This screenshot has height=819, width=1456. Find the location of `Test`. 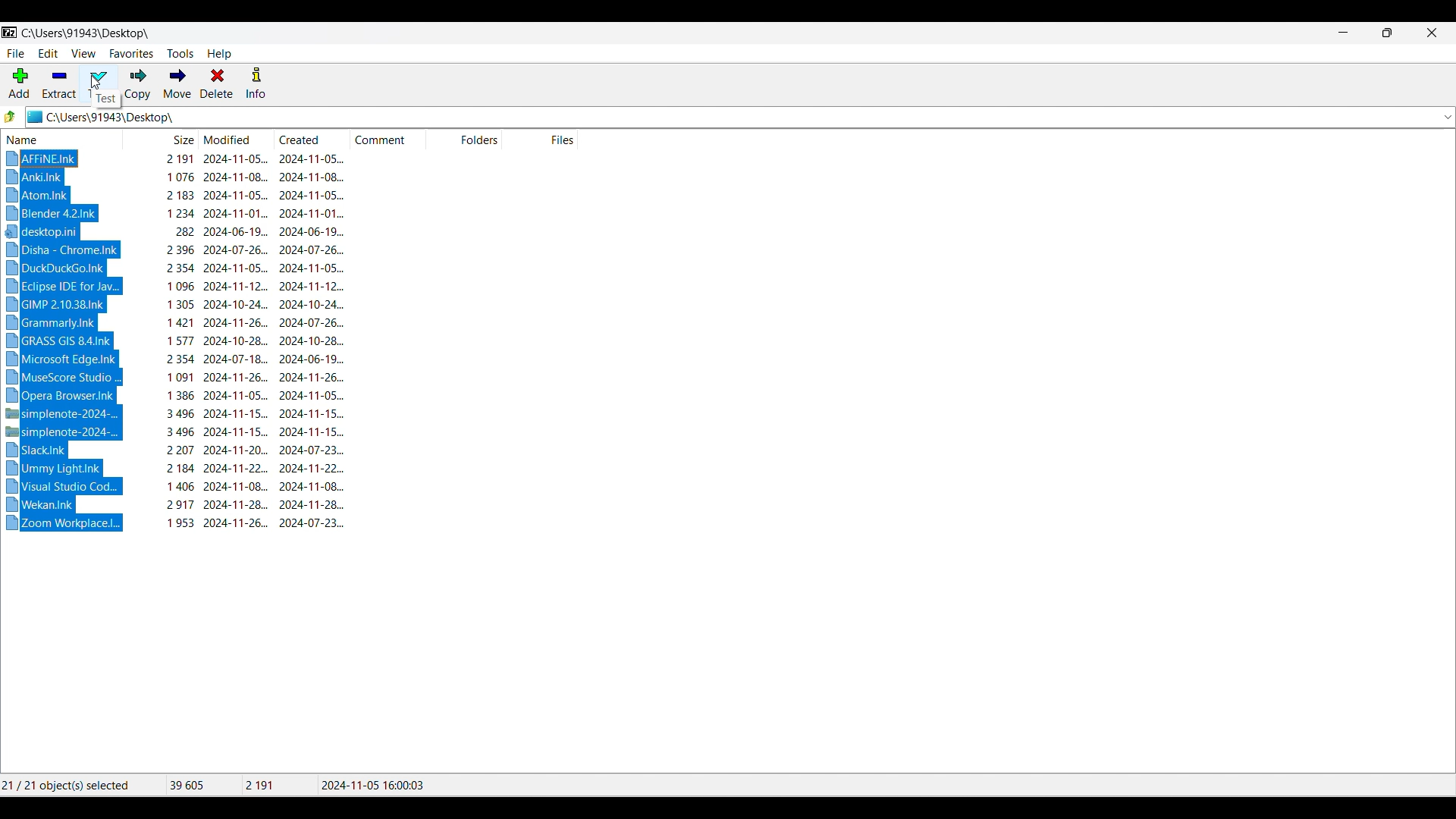

Test is located at coordinates (99, 83).